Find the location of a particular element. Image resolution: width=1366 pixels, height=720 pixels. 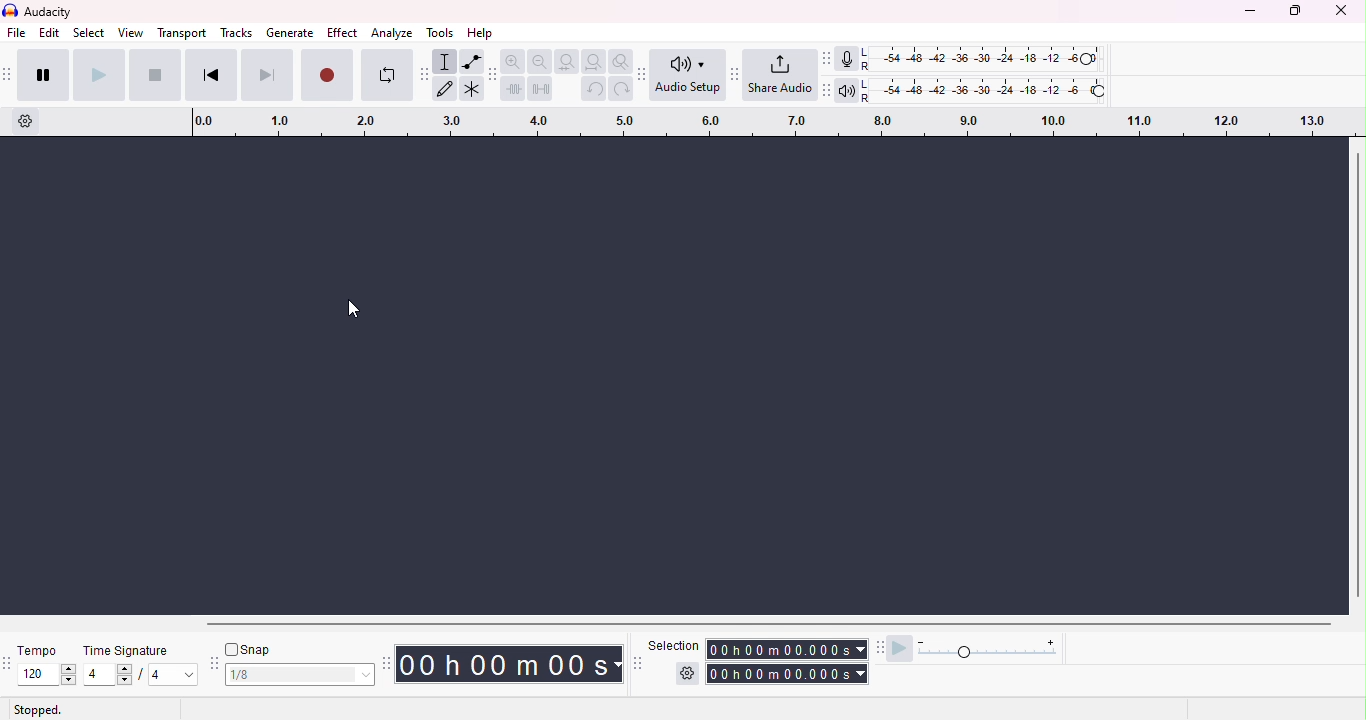

selection is located at coordinates (673, 644).